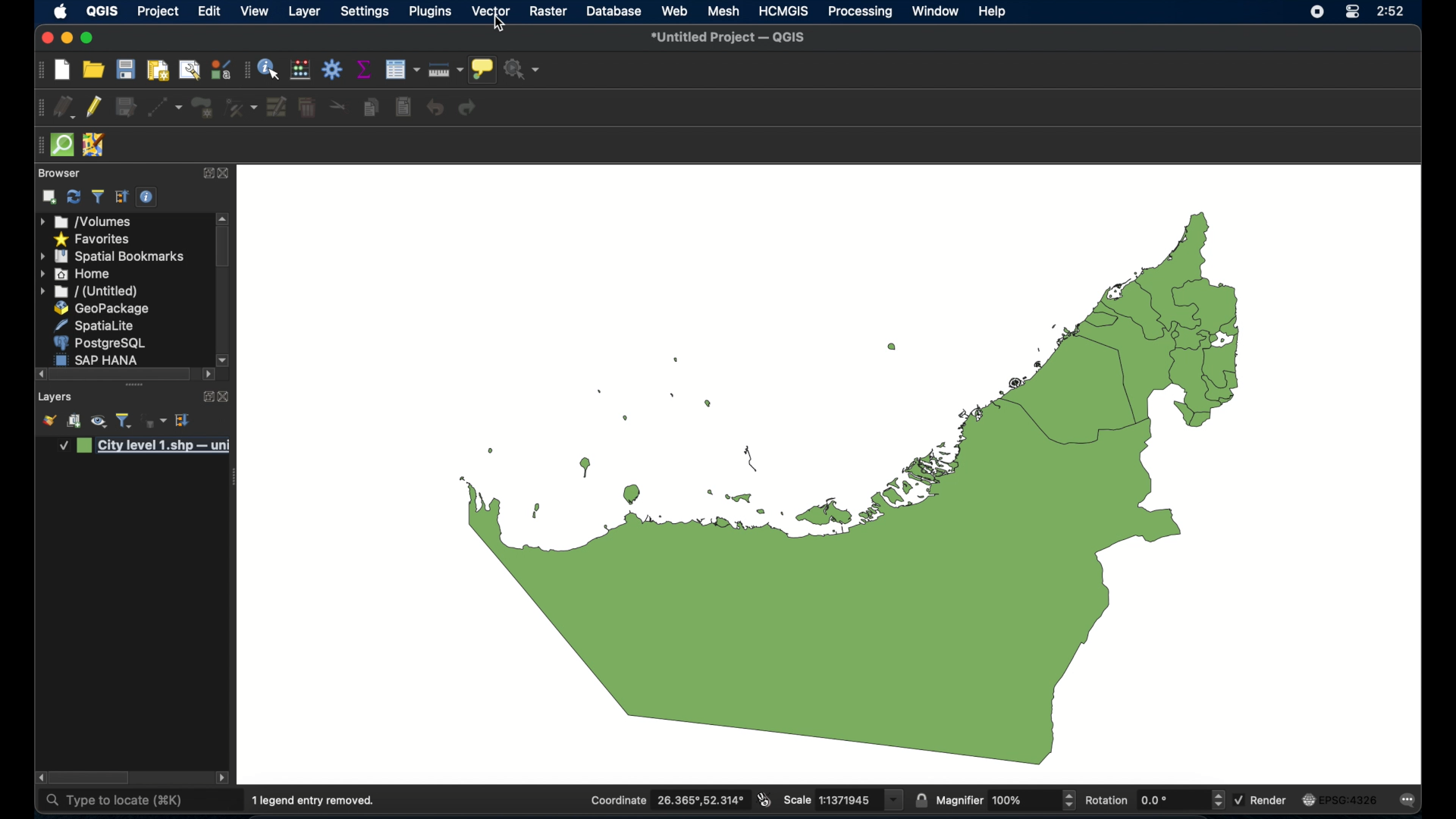 The width and height of the screenshot is (1456, 819). I want to click on undo, so click(435, 108).